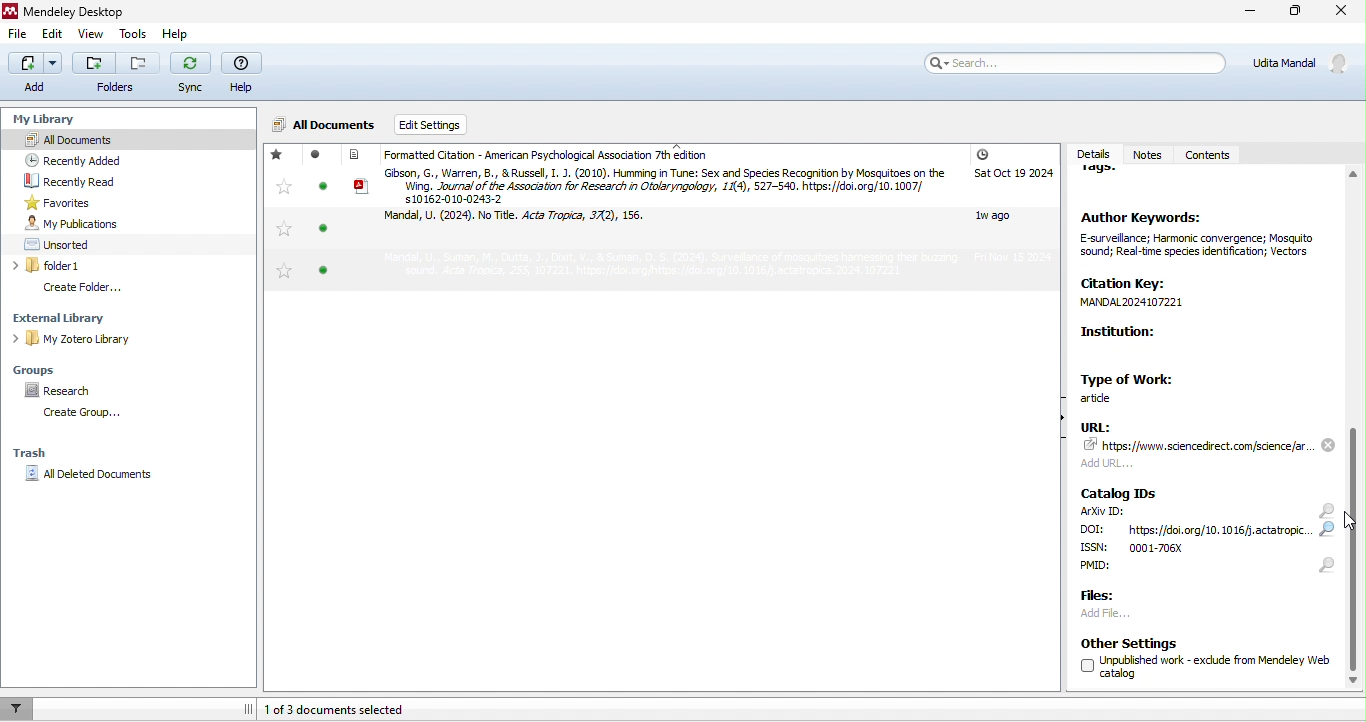  Describe the element at coordinates (132, 34) in the screenshot. I see `tools` at that location.